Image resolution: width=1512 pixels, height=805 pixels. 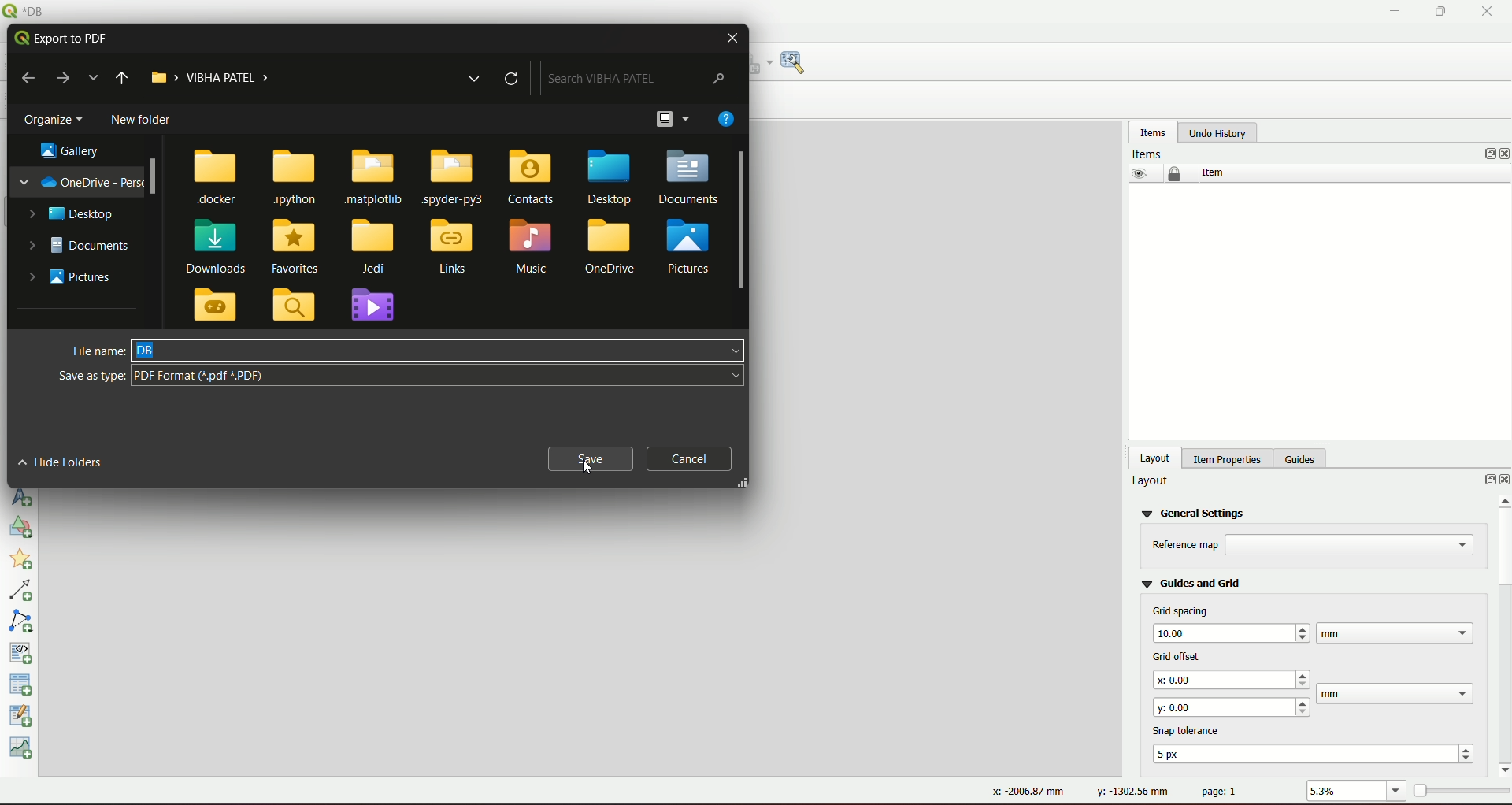 I want to click on downloads, so click(x=223, y=246).